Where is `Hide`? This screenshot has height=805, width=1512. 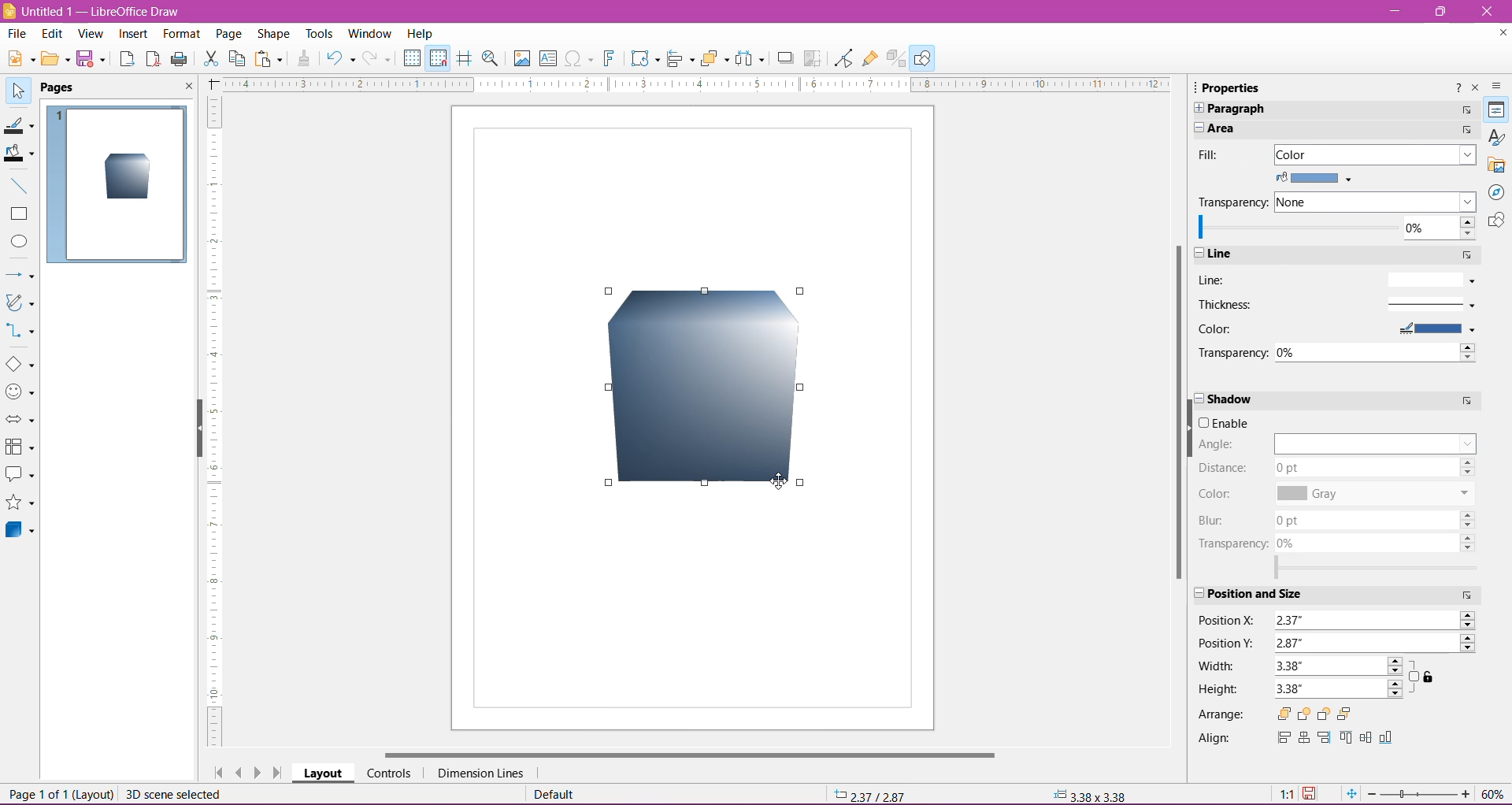
Hide is located at coordinates (196, 429).